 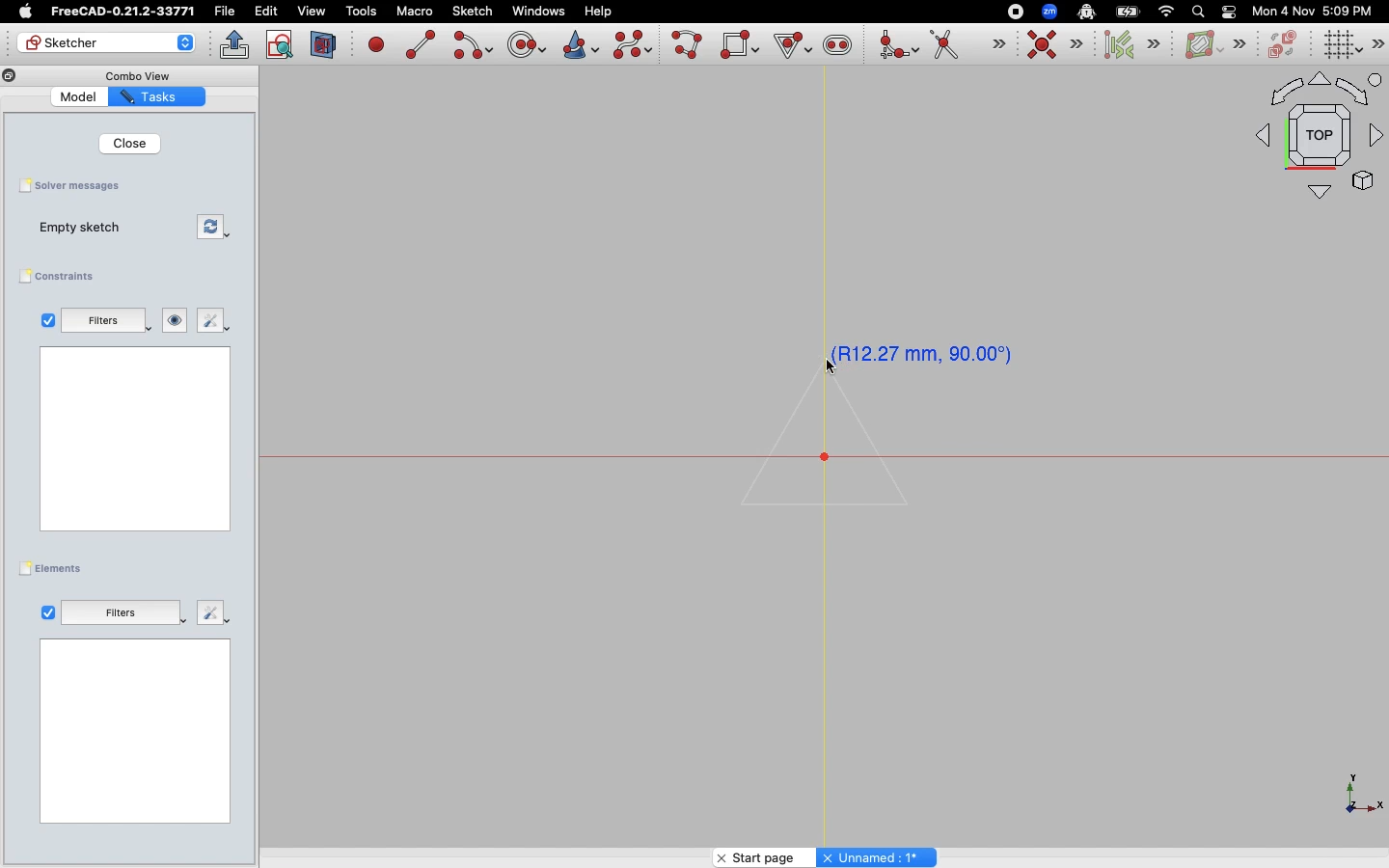 What do you see at coordinates (74, 185) in the screenshot?
I see `Solver messages` at bounding box center [74, 185].